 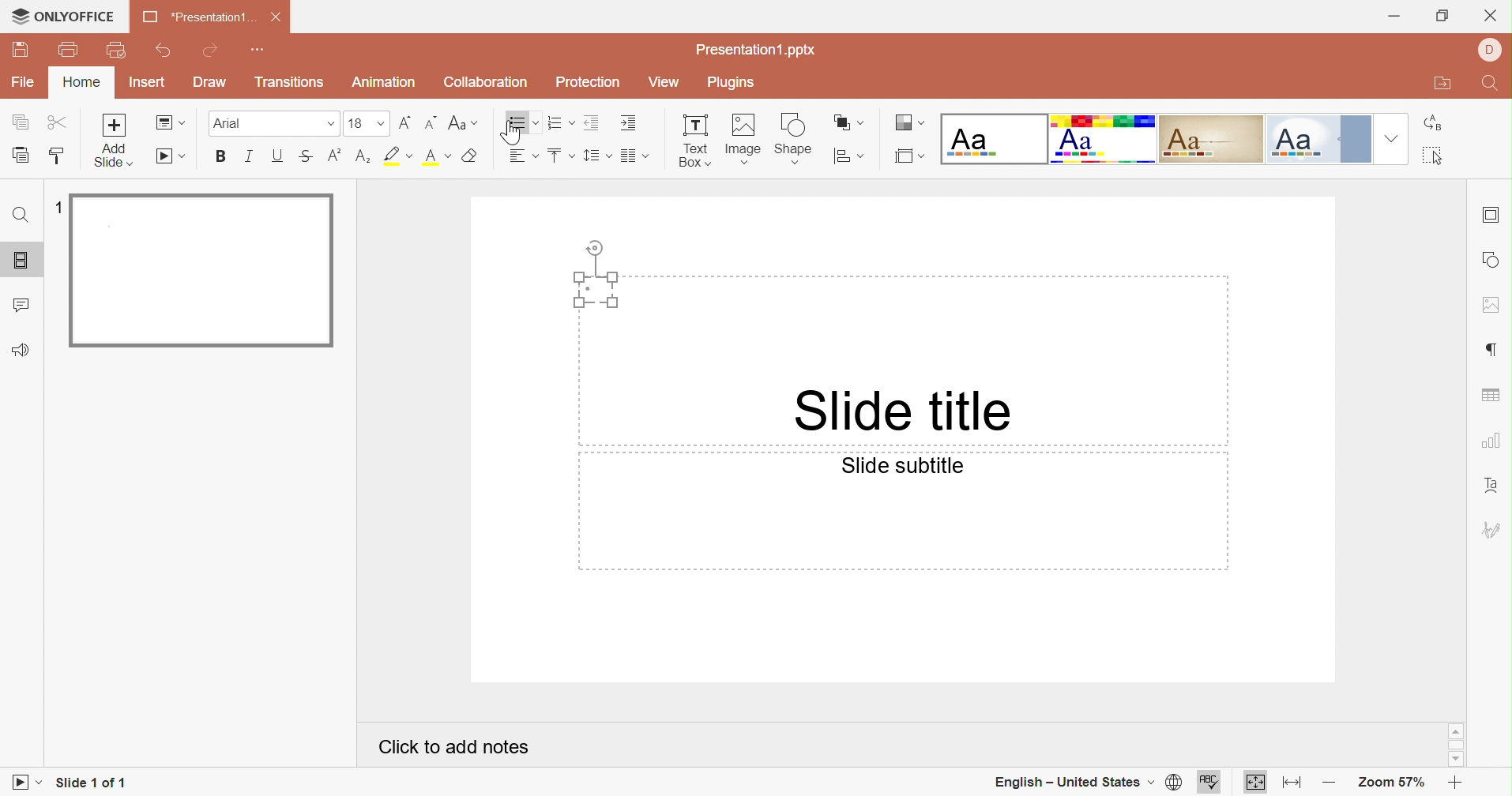 What do you see at coordinates (485, 82) in the screenshot?
I see `Collaboration` at bounding box center [485, 82].